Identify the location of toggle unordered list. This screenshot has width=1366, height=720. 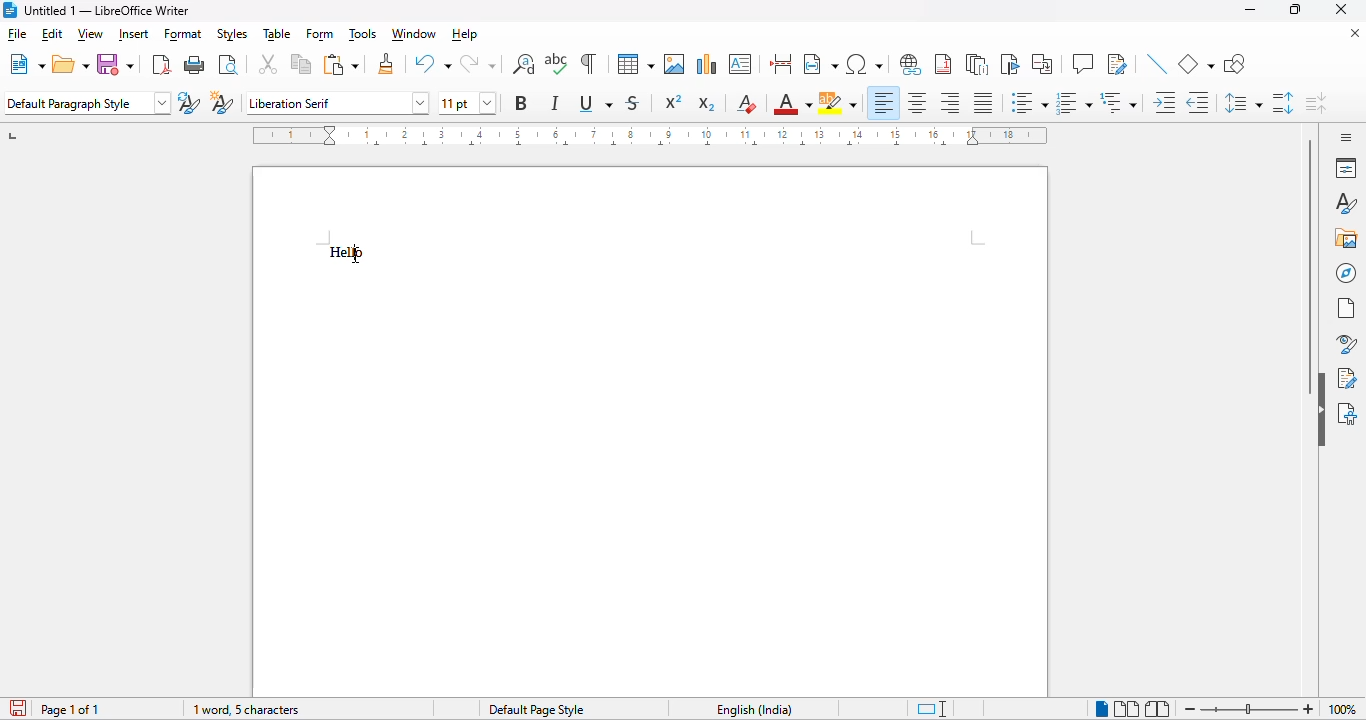
(1028, 102).